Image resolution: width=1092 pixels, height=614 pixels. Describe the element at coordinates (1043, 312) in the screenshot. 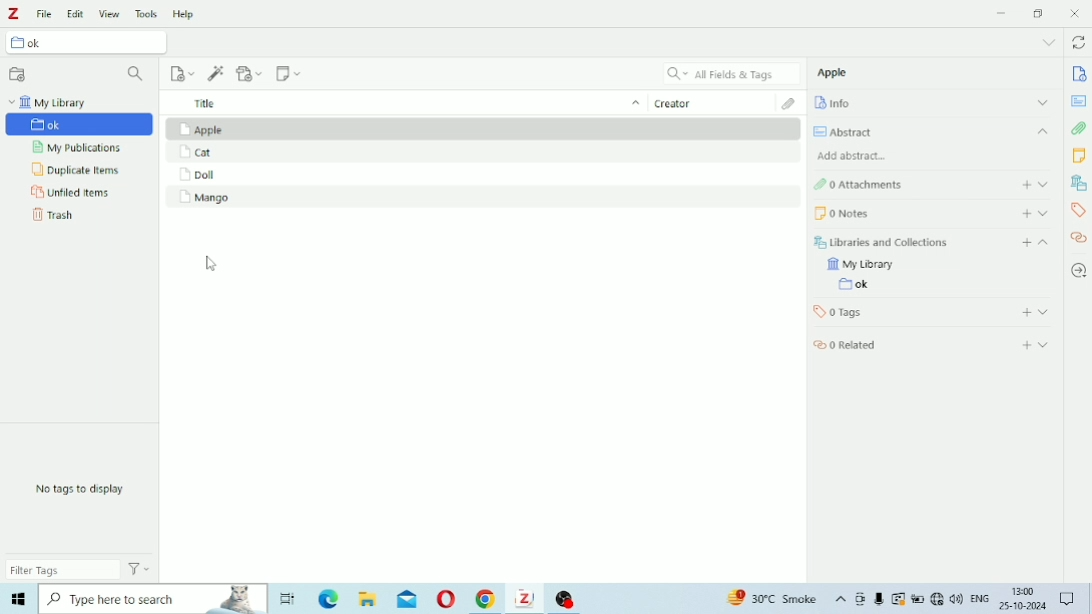

I see `Expand section` at that location.